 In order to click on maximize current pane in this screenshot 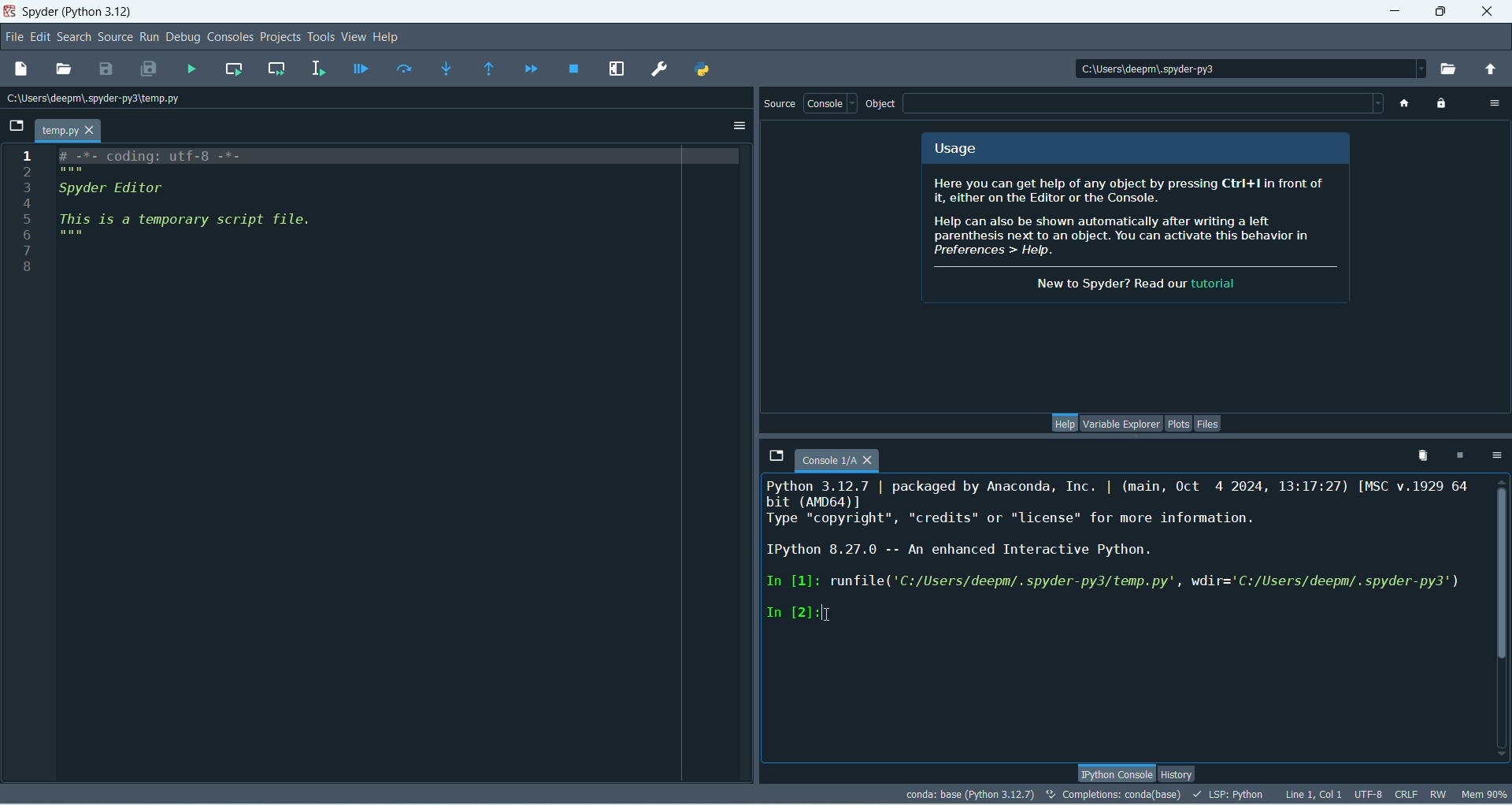, I will do `click(617, 69)`.